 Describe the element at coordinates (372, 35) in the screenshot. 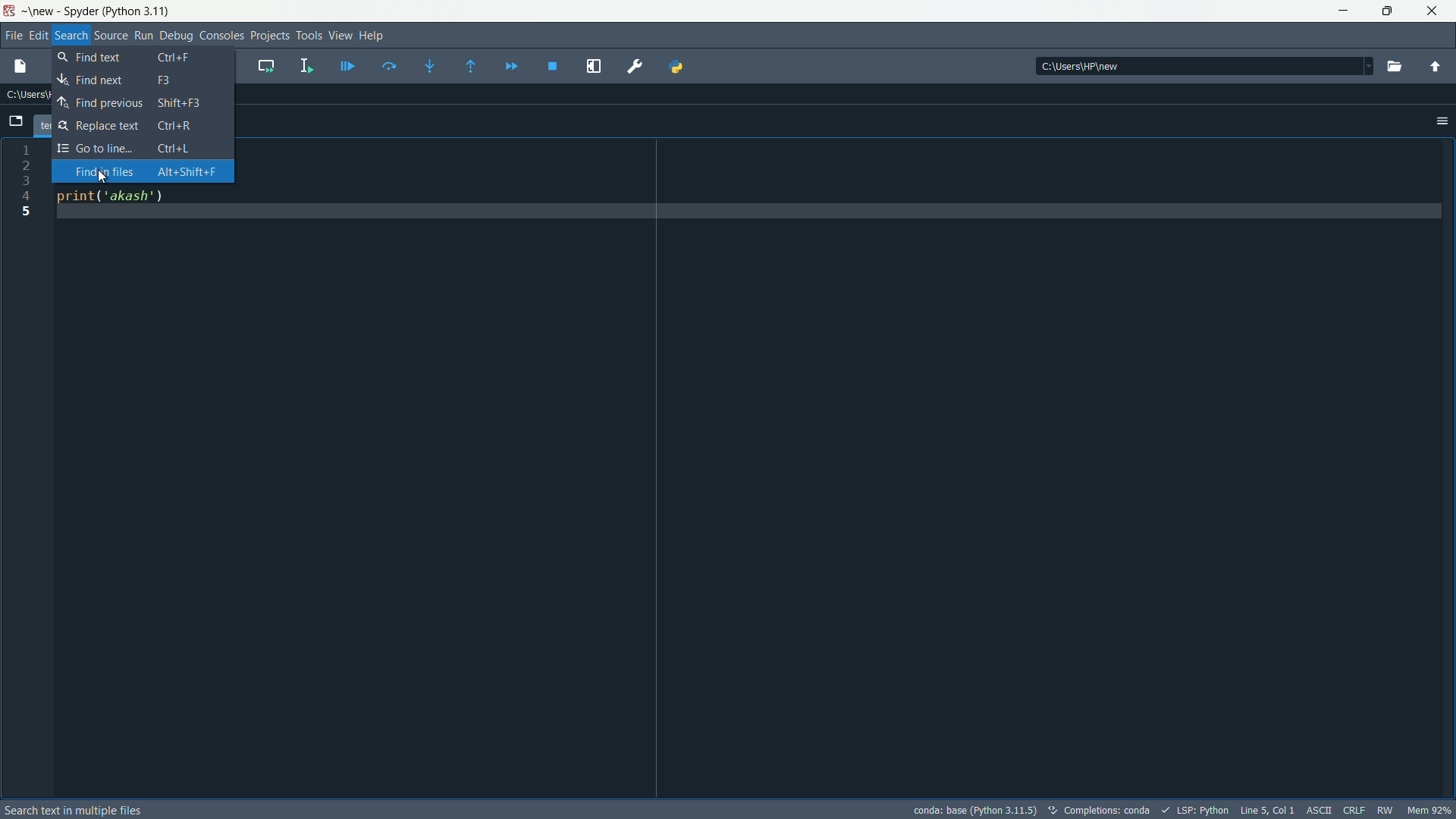

I see `Help Menu` at that location.